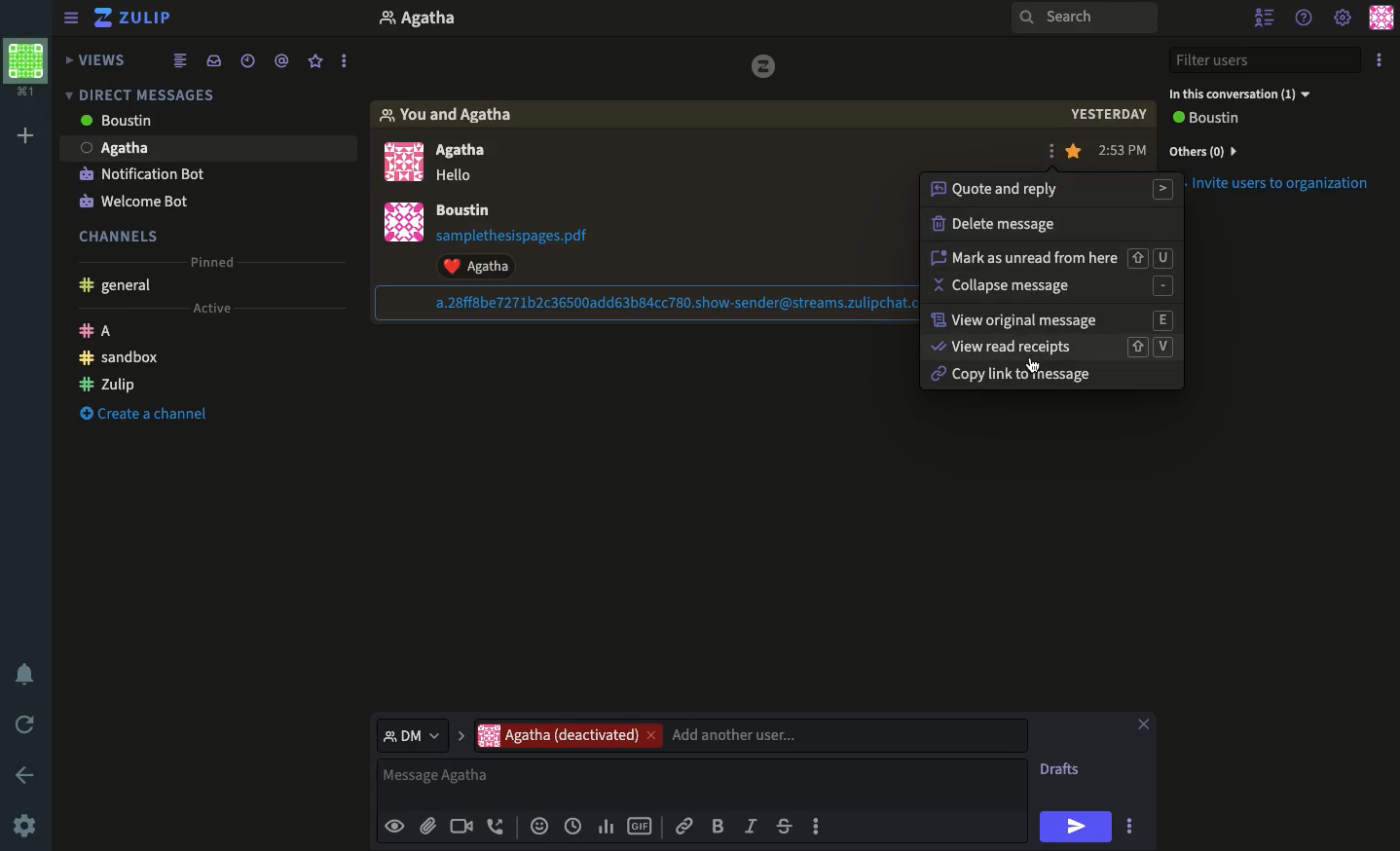 The image size is (1400, 851). Describe the element at coordinates (456, 177) in the screenshot. I see `message` at that location.